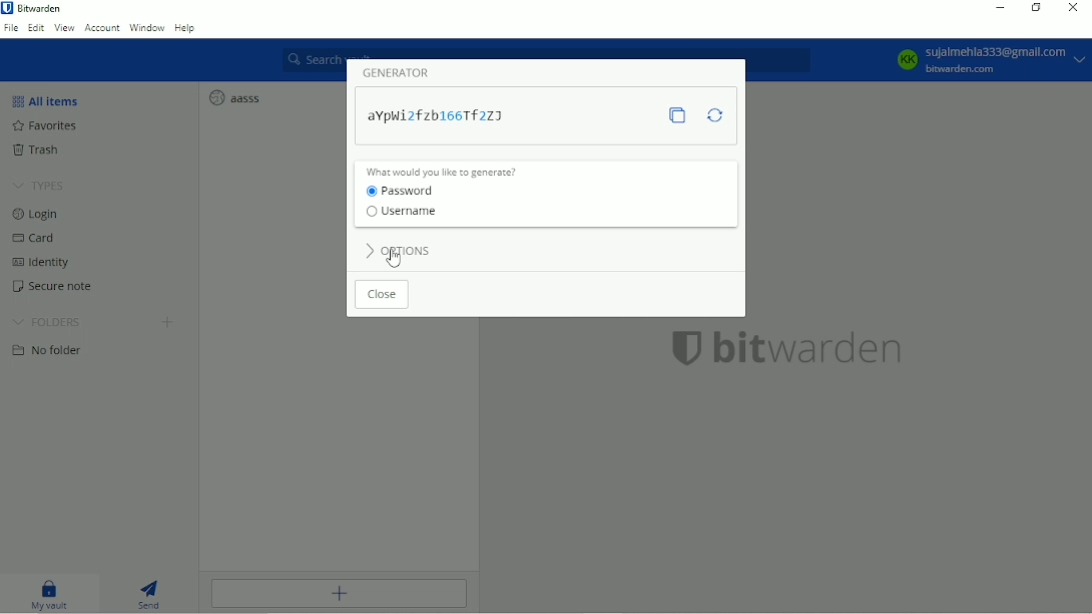  Describe the element at coordinates (394, 257) in the screenshot. I see `Cursor` at that location.